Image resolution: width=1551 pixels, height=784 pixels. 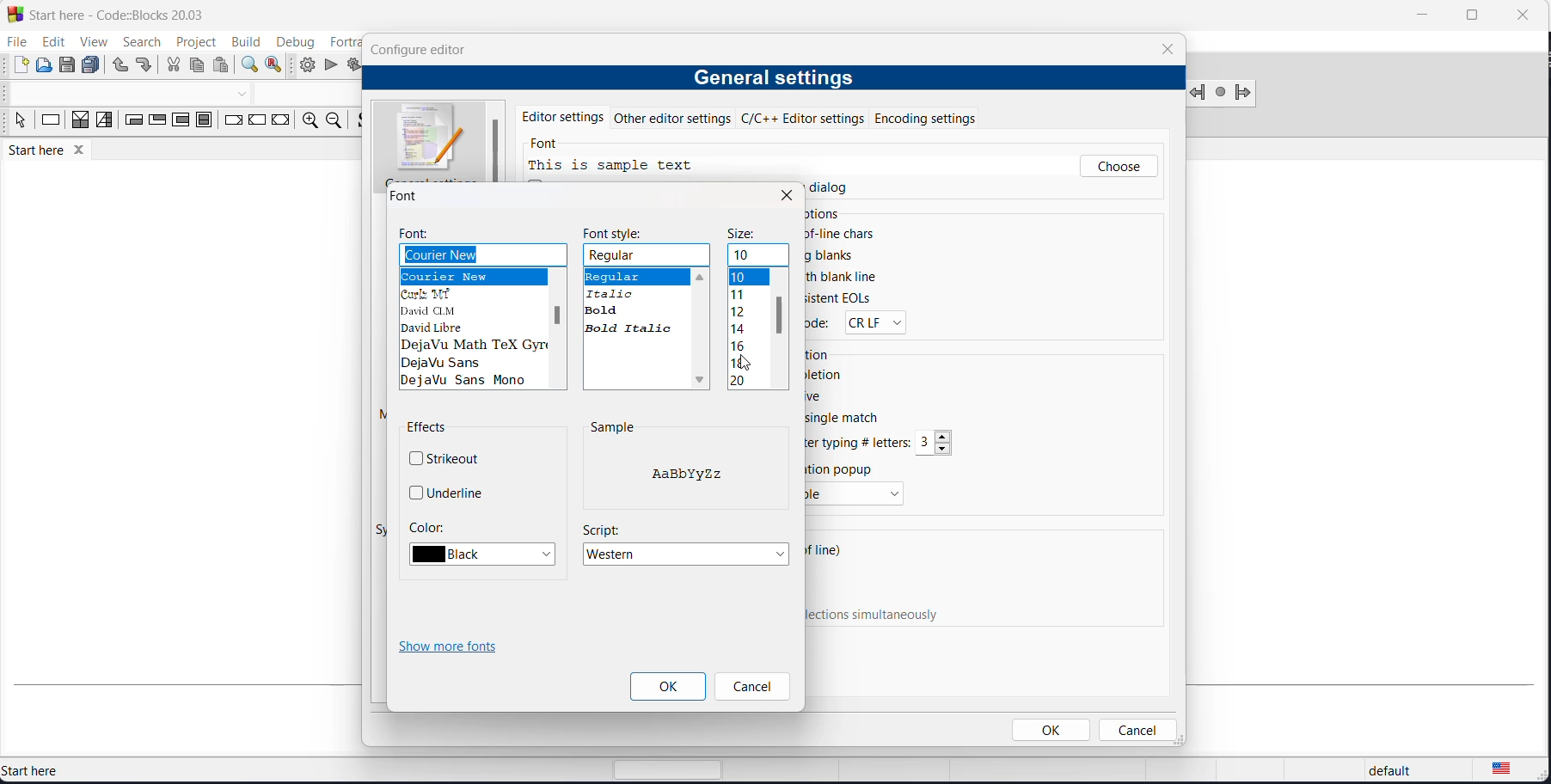 I want to click on eletion, so click(x=829, y=374).